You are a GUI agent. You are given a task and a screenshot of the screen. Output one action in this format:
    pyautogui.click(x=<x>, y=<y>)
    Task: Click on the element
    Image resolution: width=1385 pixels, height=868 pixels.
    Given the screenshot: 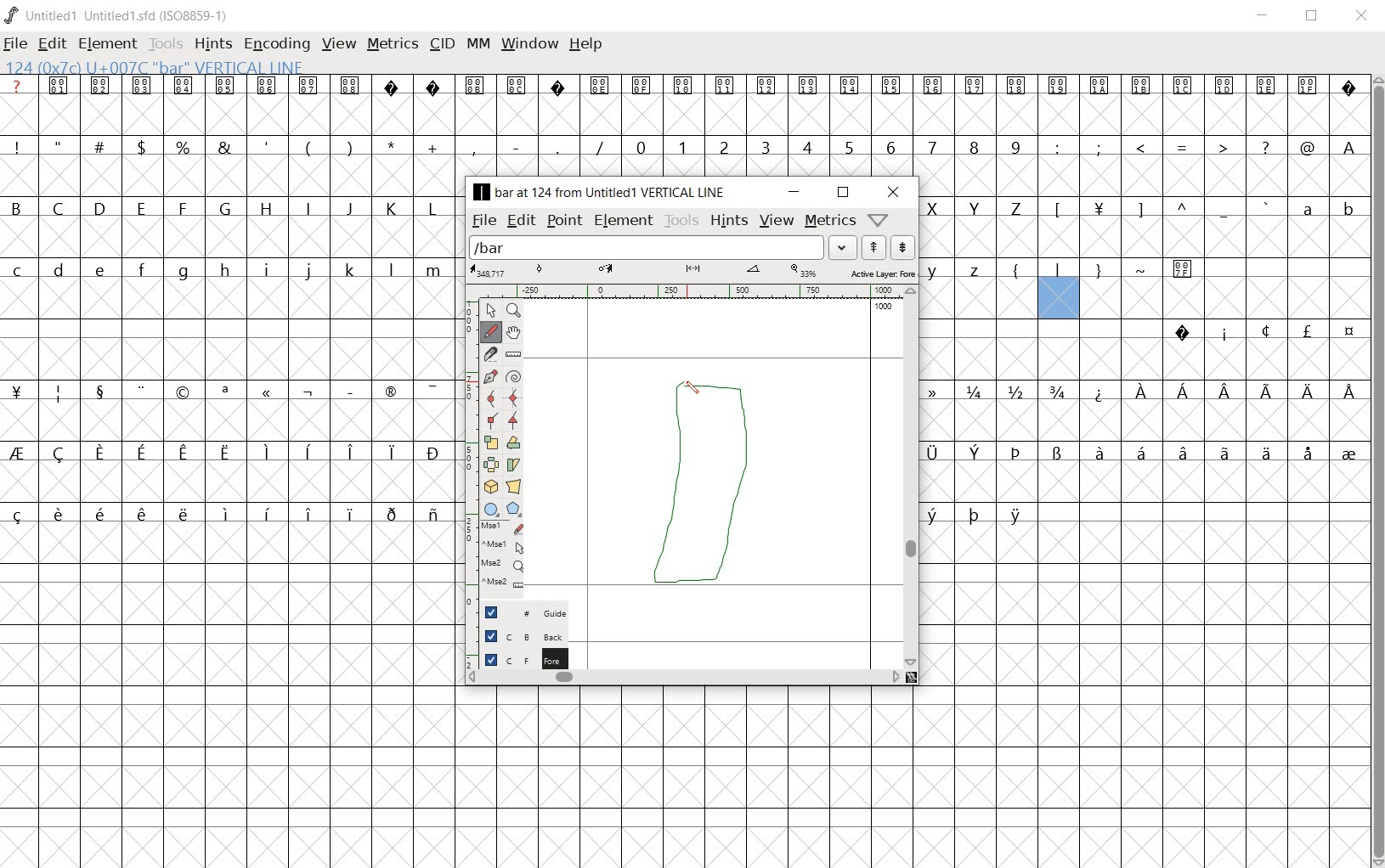 What is the action you would take?
    pyautogui.click(x=107, y=44)
    